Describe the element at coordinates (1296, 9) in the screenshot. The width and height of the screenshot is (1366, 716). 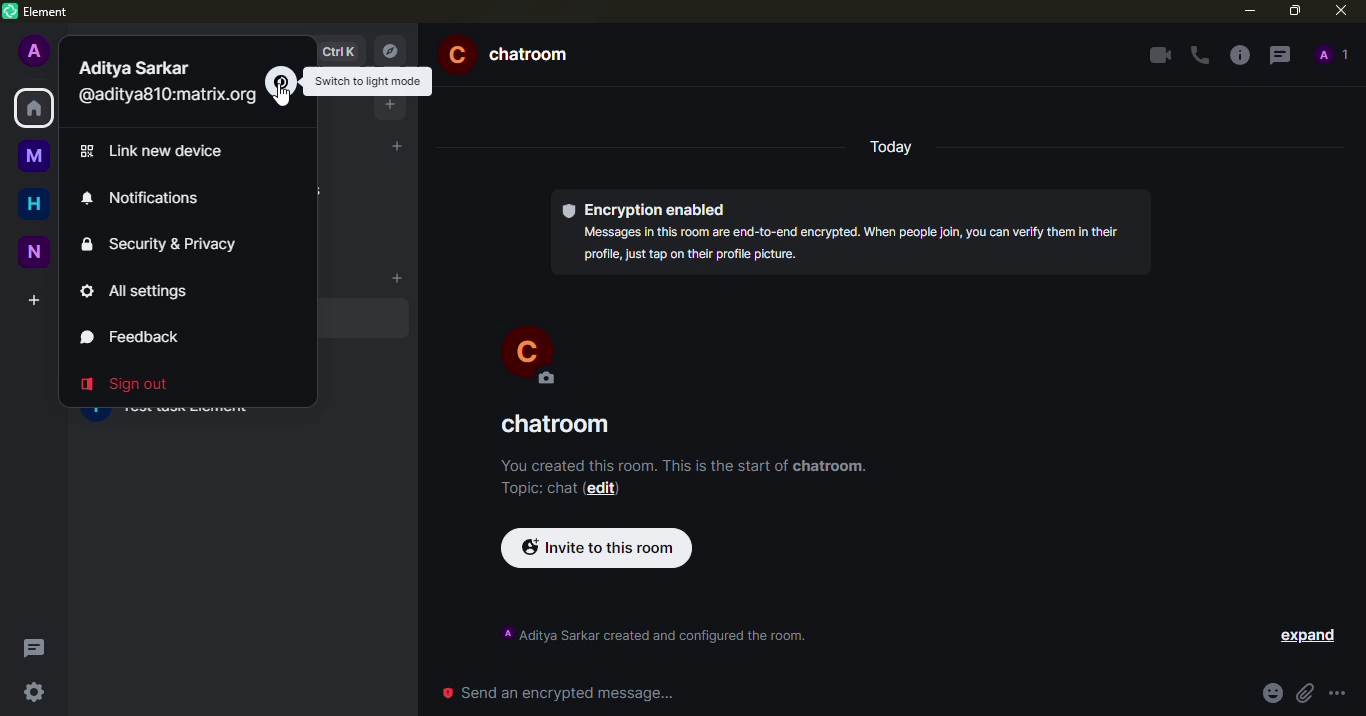
I see `maximize` at that location.